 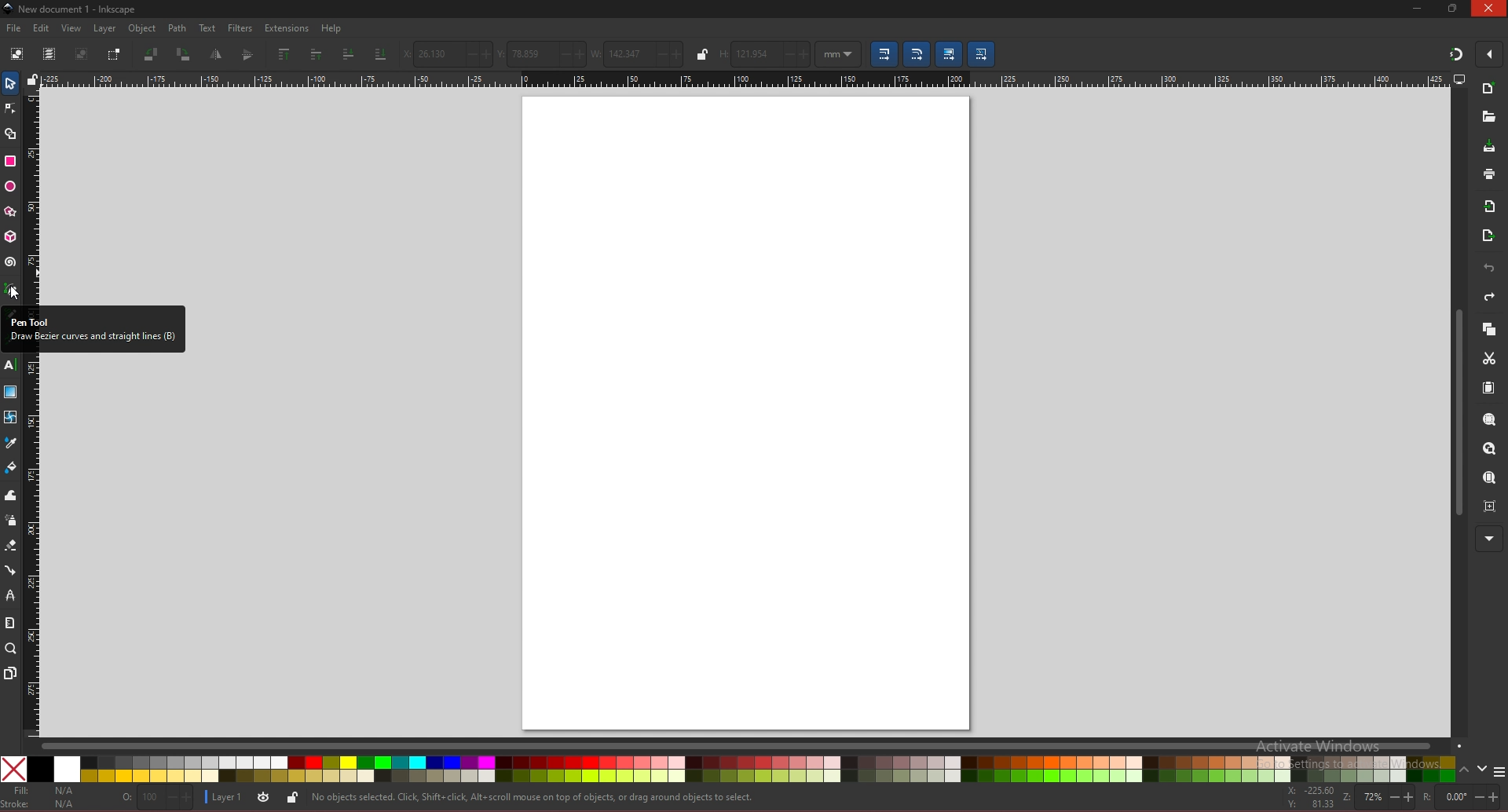 What do you see at coordinates (332, 28) in the screenshot?
I see `help` at bounding box center [332, 28].